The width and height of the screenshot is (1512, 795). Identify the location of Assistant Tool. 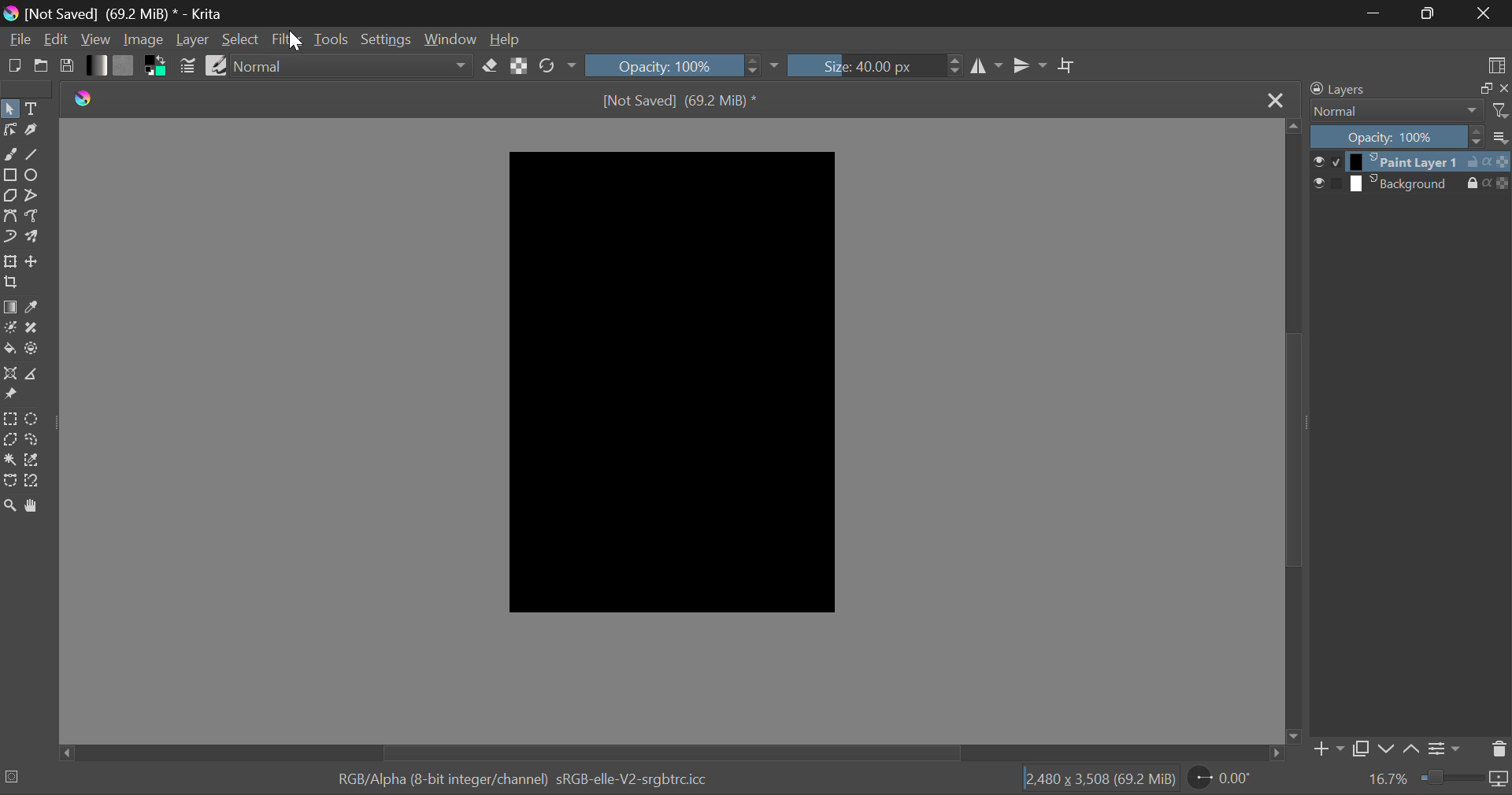
(9, 373).